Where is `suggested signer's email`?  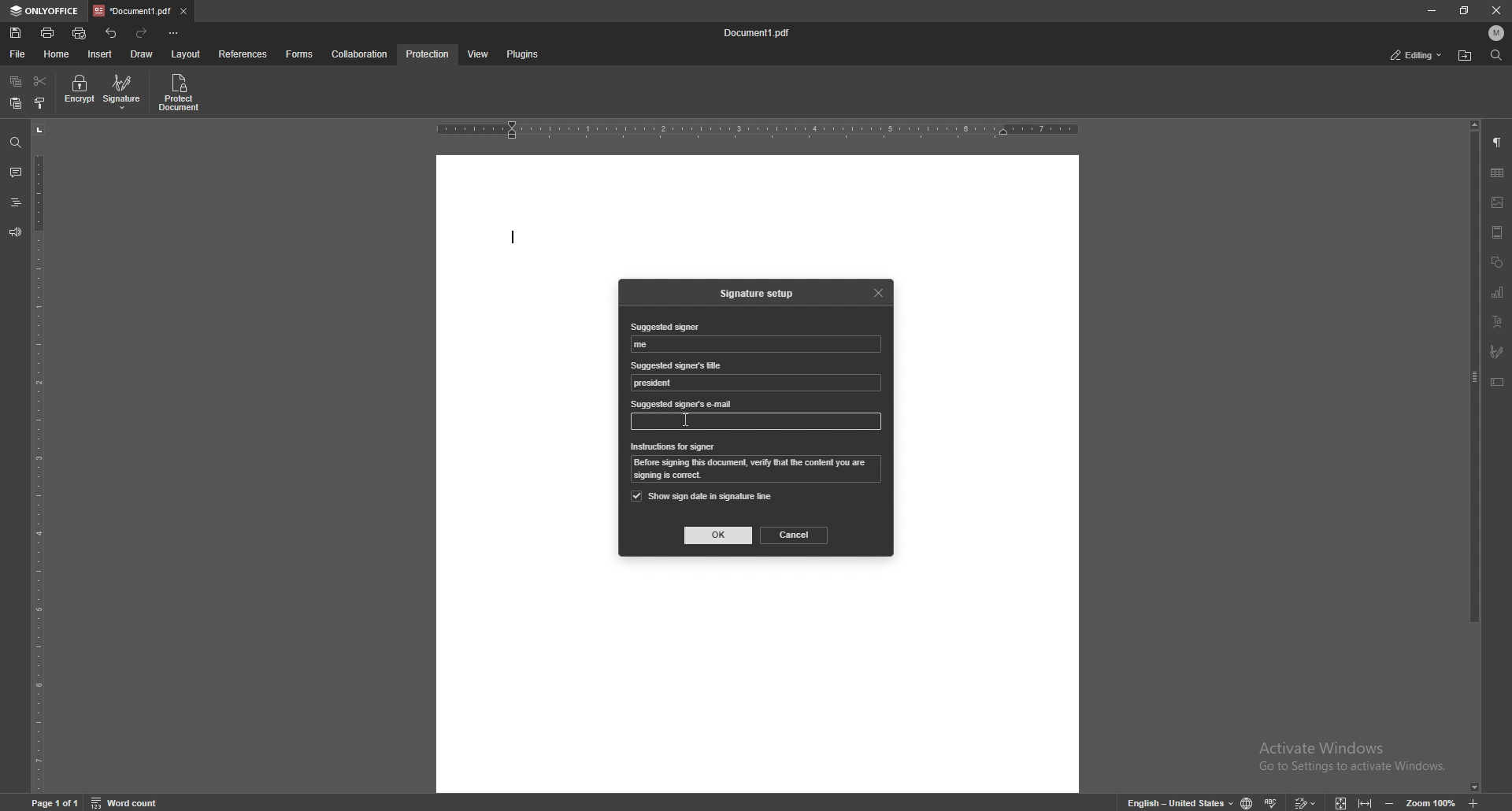
suggested signer's email is located at coordinates (683, 405).